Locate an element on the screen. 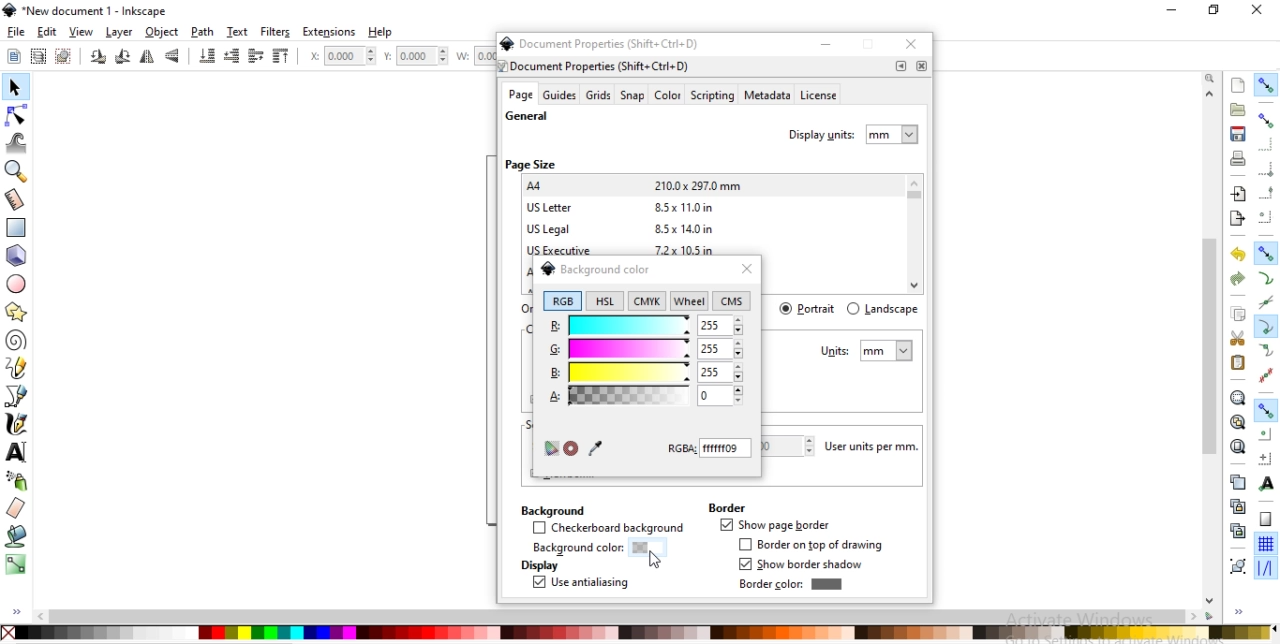 This screenshot has width=1280, height=644. zoom in or out is located at coordinates (18, 171).